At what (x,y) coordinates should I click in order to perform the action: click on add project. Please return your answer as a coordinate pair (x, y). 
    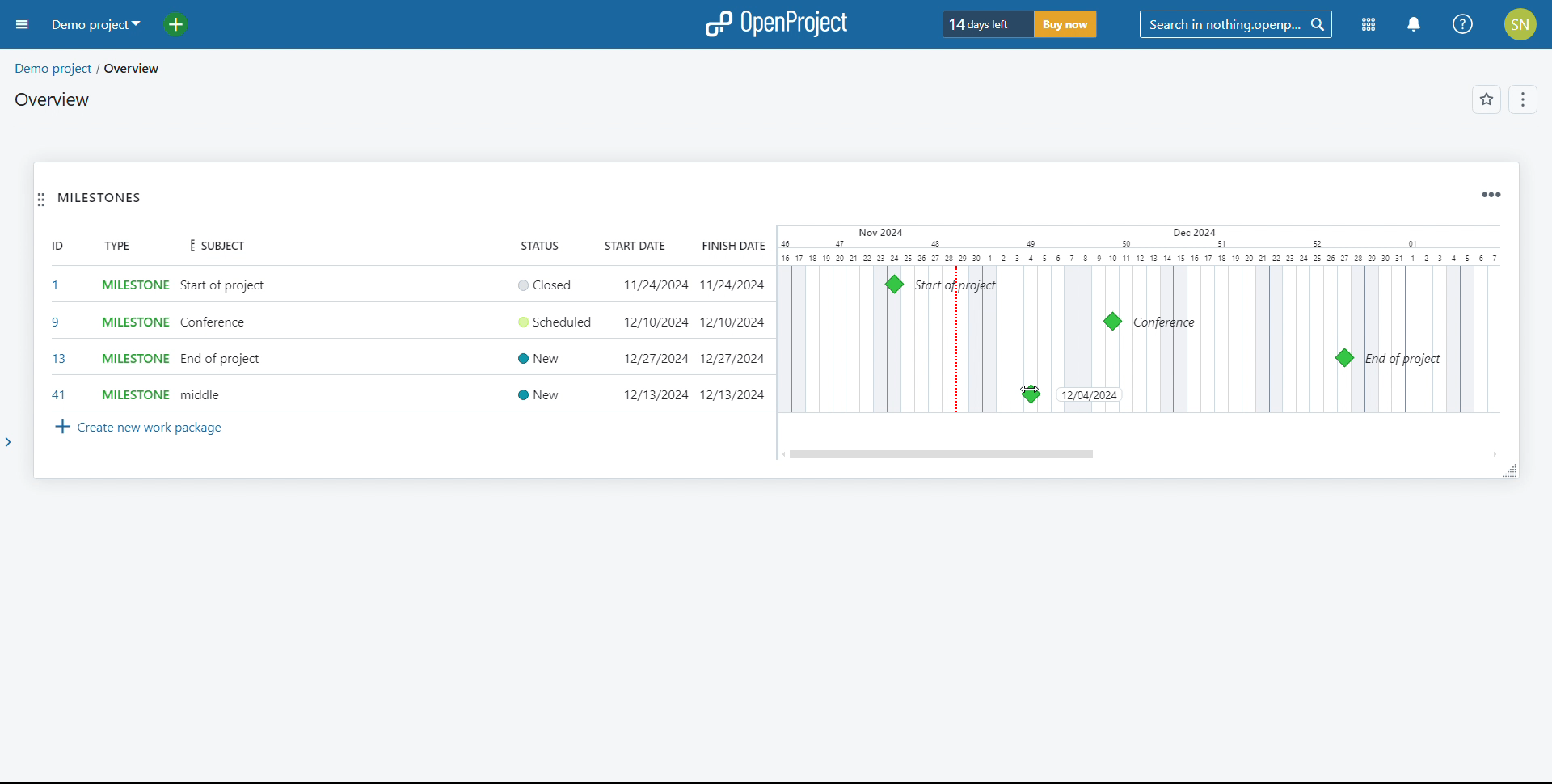
    Looking at the image, I should click on (185, 25).